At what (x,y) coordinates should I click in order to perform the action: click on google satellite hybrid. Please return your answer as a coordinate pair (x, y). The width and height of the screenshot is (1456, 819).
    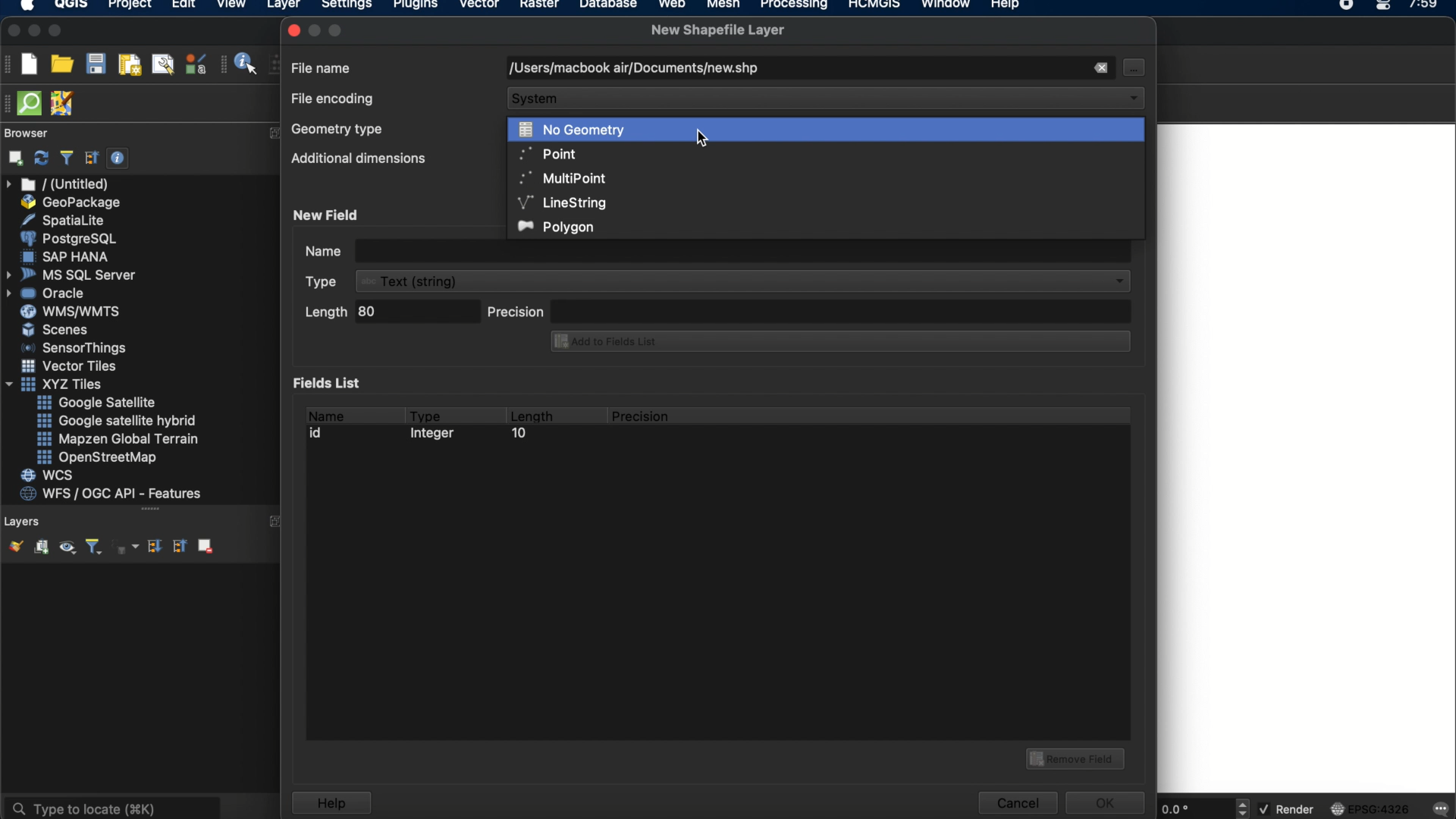
    Looking at the image, I should click on (118, 421).